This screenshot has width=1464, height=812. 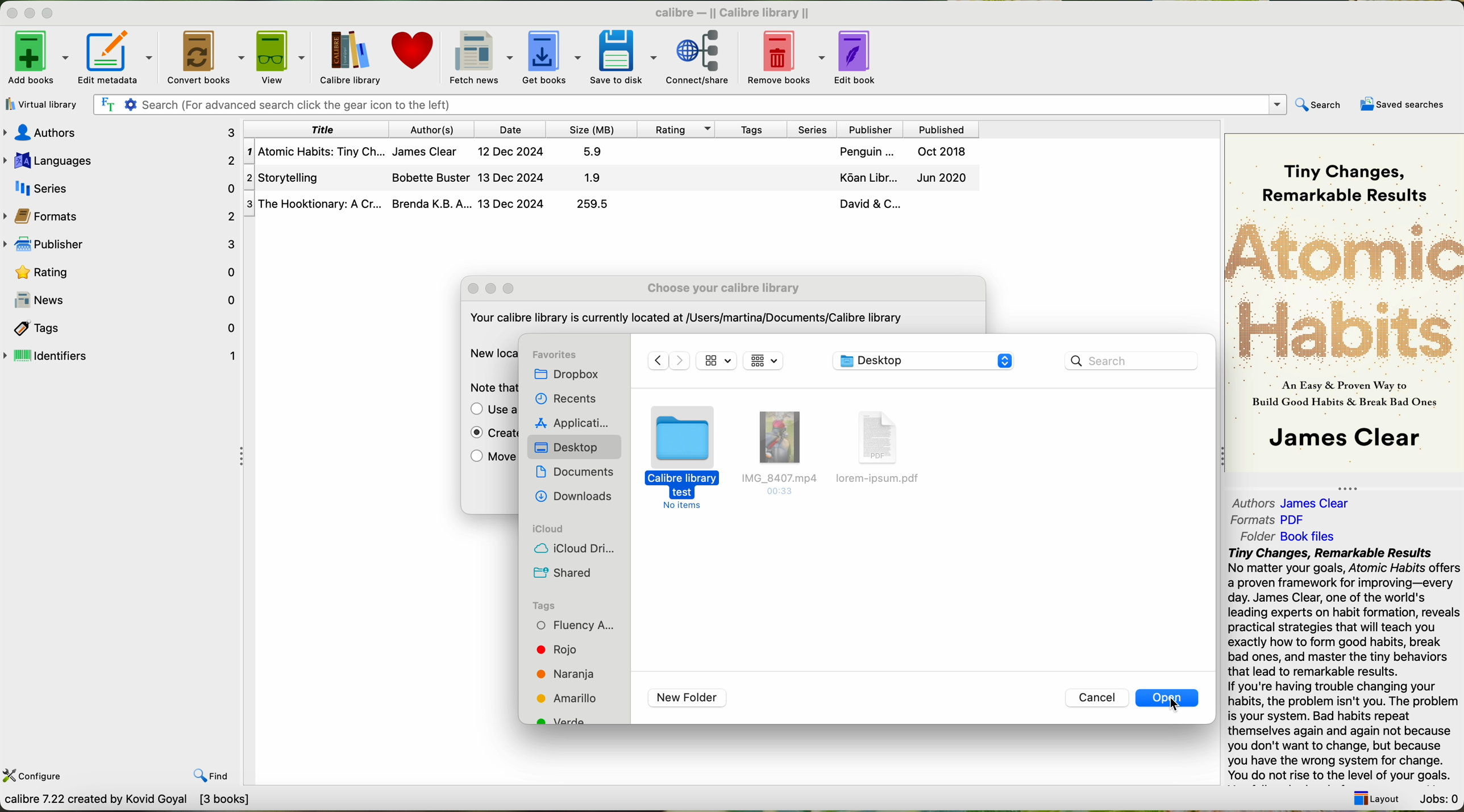 What do you see at coordinates (32, 14) in the screenshot?
I see `minimize program` at bounding box center [32, 14].